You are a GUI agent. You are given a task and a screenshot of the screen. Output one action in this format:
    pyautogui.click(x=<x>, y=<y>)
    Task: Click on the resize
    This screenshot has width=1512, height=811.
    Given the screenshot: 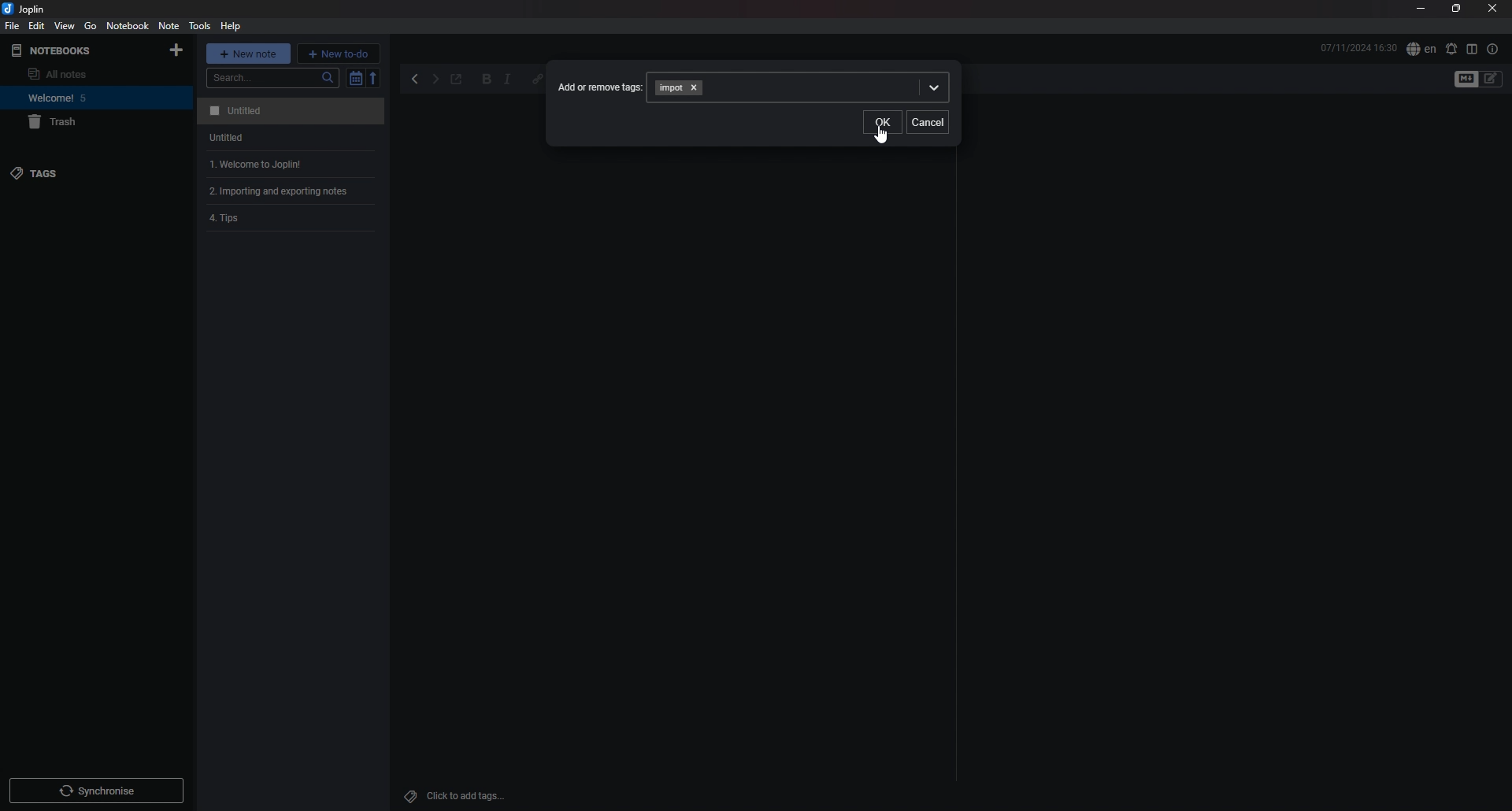 What is the action you would take?
    pyautogui.click(x=1455, y=9)
    